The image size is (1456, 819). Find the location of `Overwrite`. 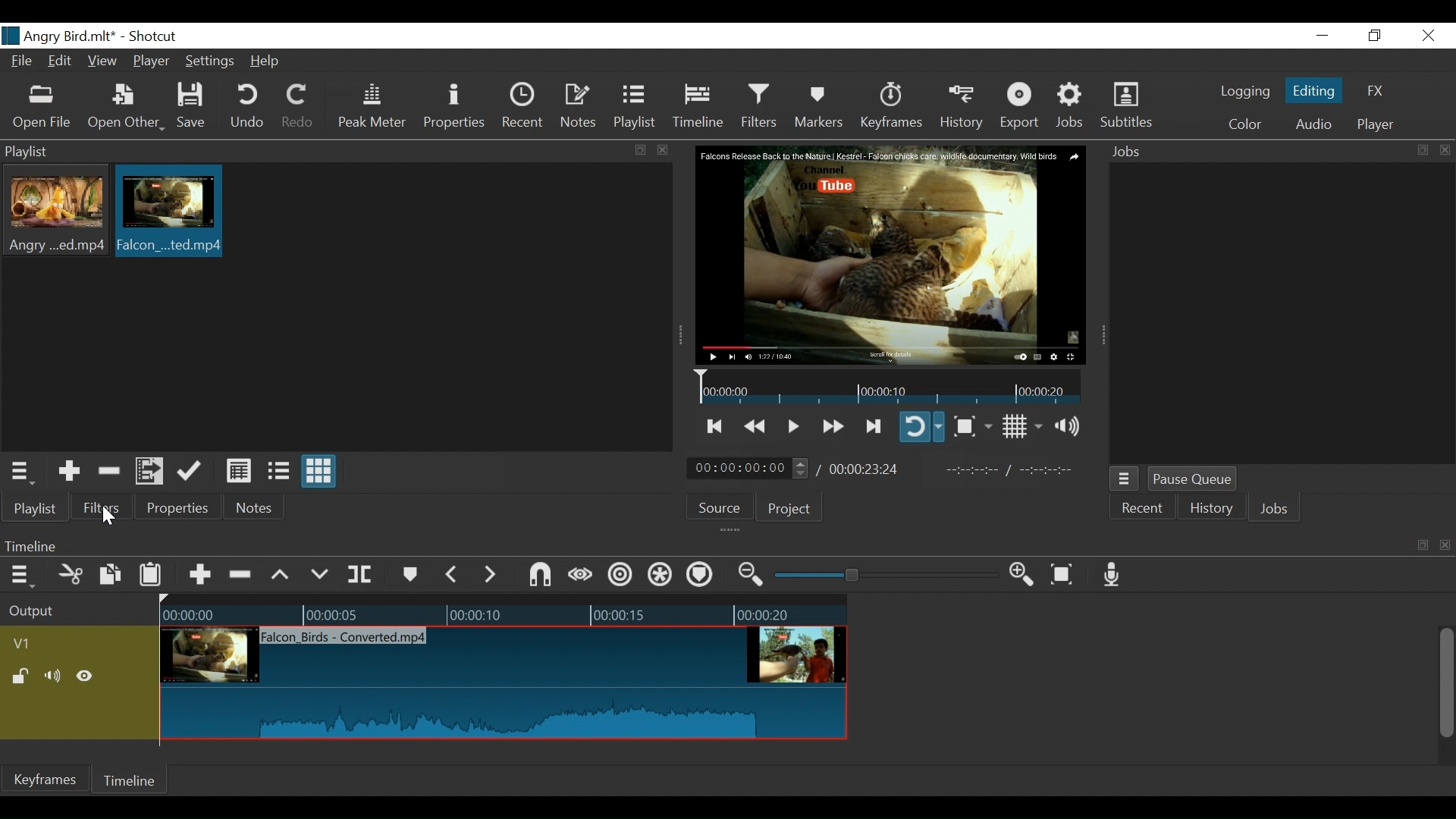

Overwrite is located at coordinates (320, 575).